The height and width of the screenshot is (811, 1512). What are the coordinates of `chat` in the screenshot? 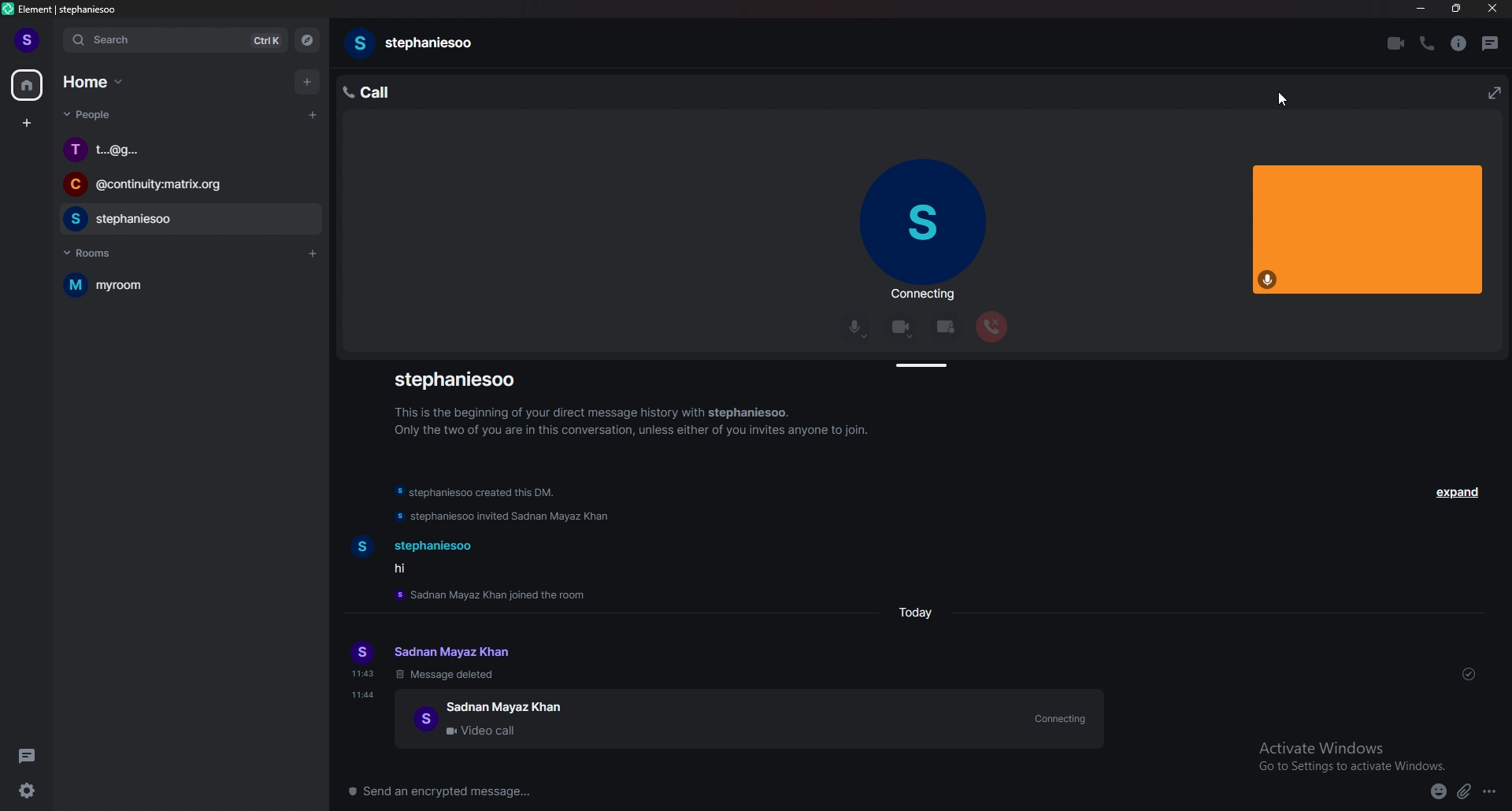 It's located at (189, 150).